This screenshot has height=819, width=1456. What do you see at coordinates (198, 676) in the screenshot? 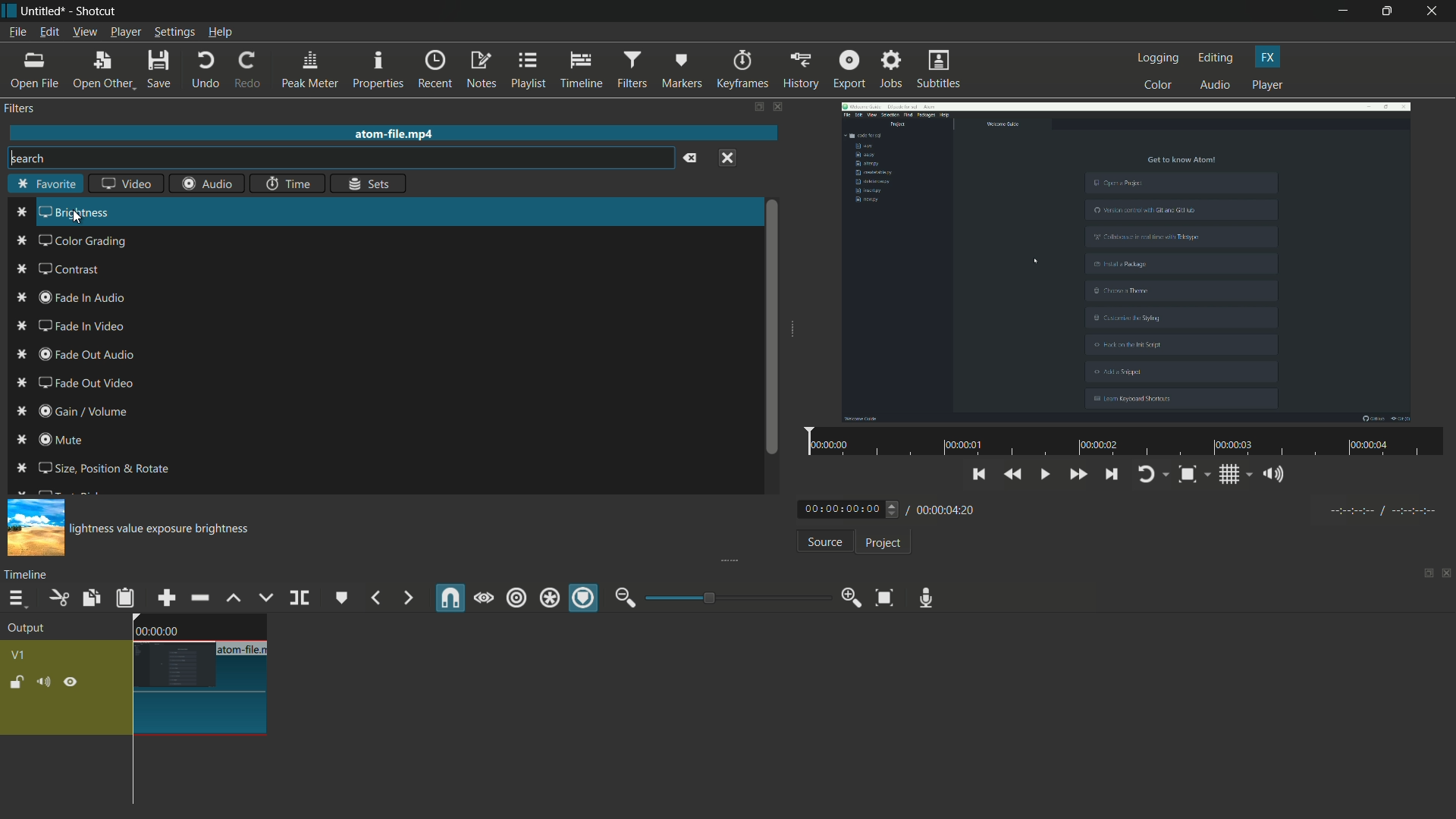
I see `video on timeline` at bounding box center [198, 676].